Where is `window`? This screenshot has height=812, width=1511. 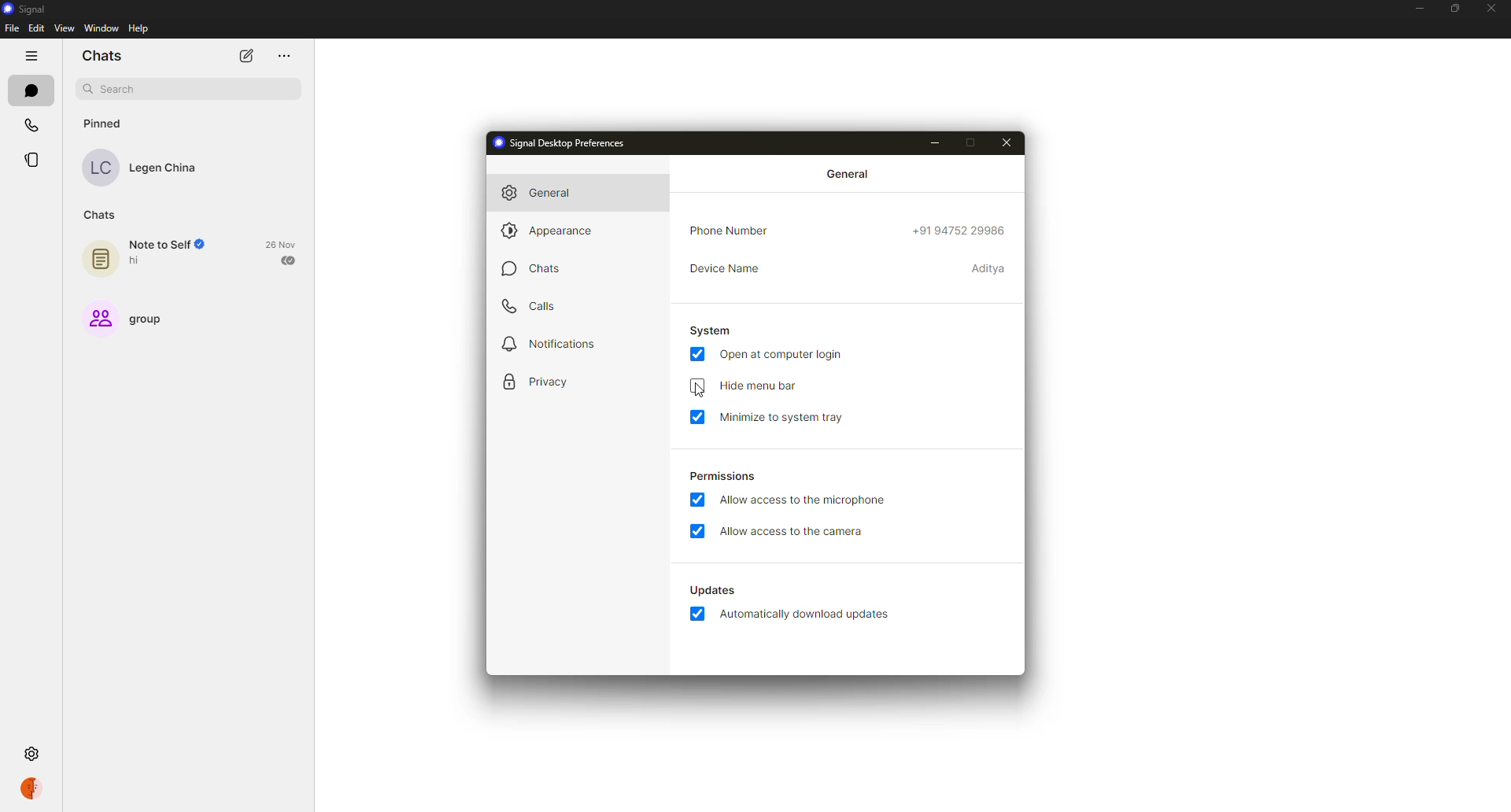 window is located at coordinates (101, 28).